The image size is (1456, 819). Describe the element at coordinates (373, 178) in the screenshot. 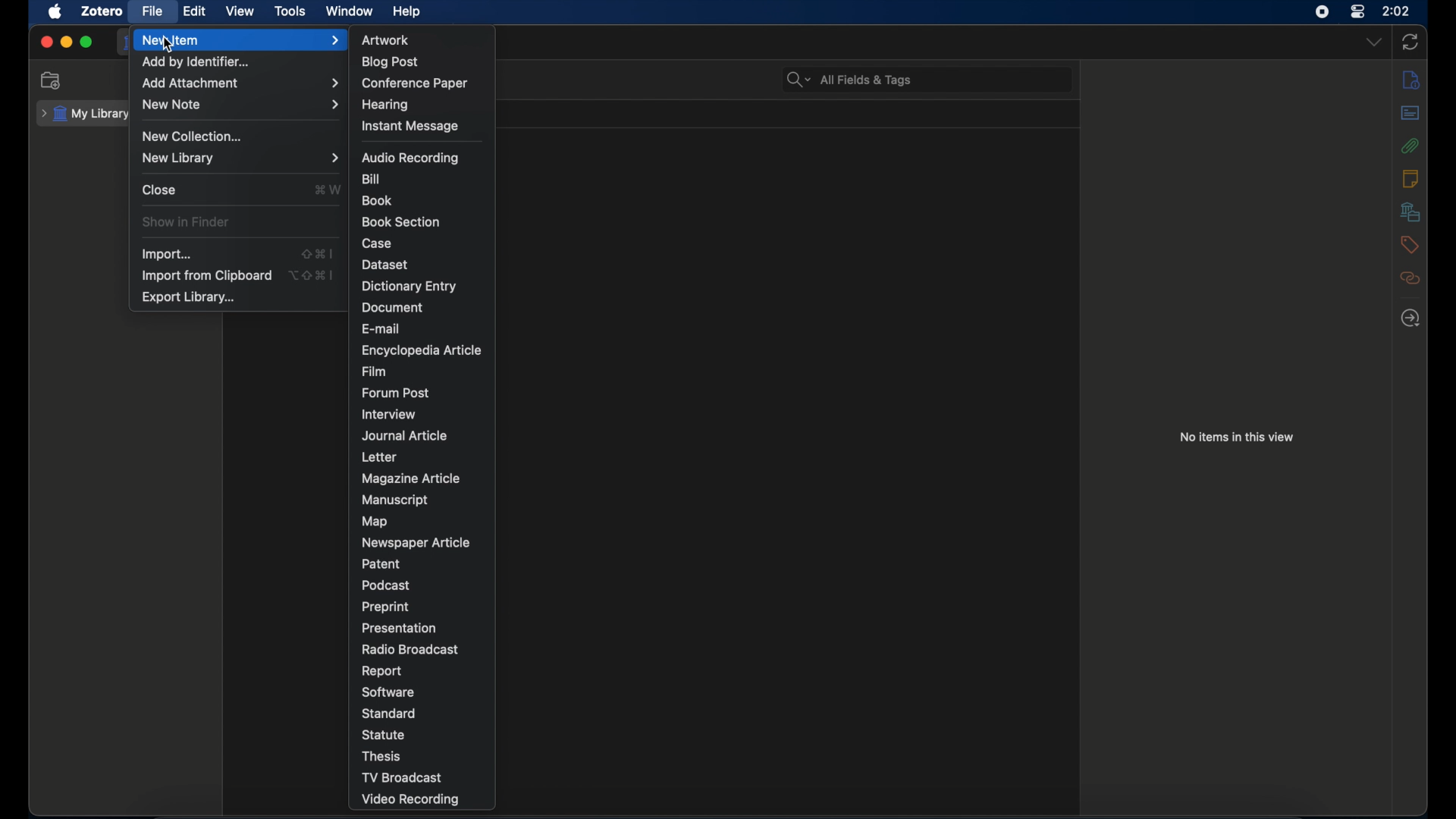

I see `bill` at that location.